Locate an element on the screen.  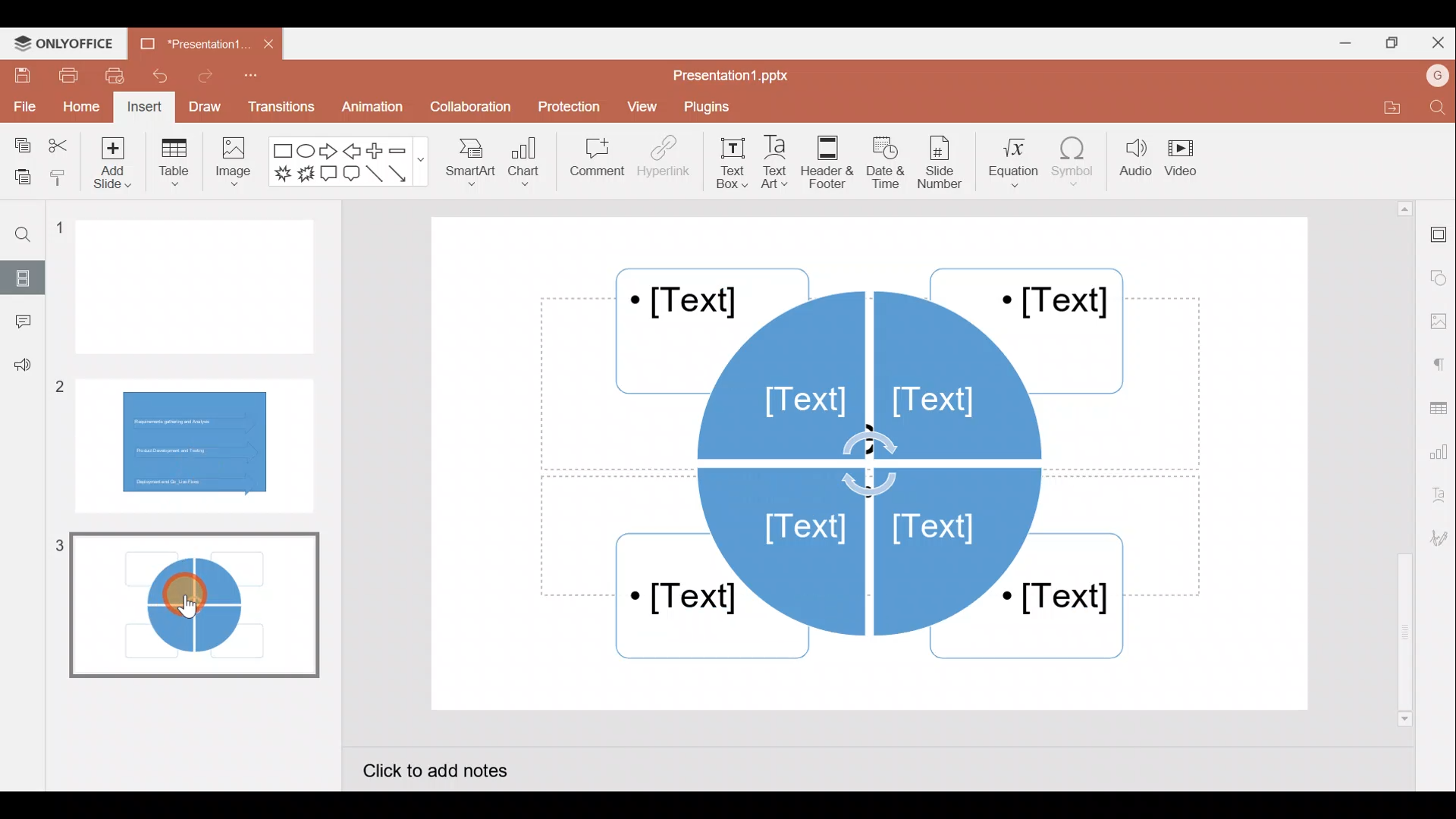
Presentation slide is located at coordinates (875, 462).